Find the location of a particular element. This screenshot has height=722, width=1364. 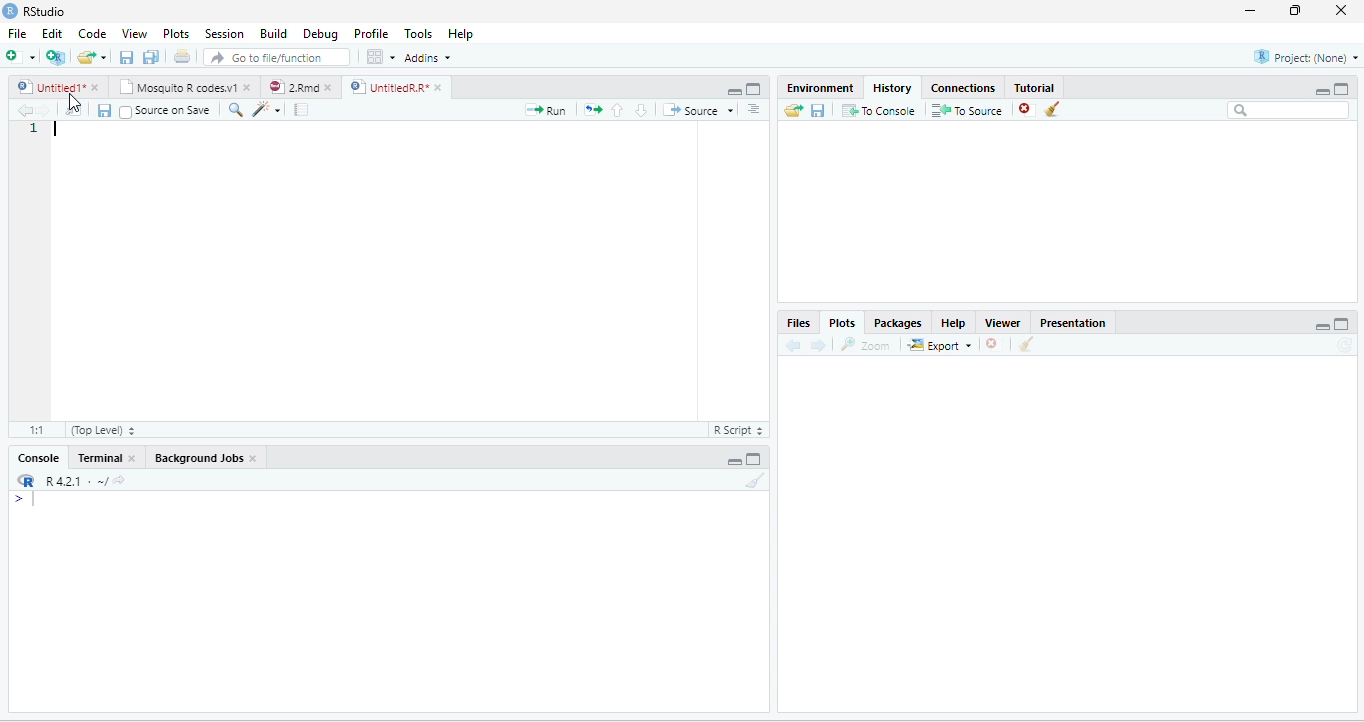

Profile is located at coordinates (371, 33).